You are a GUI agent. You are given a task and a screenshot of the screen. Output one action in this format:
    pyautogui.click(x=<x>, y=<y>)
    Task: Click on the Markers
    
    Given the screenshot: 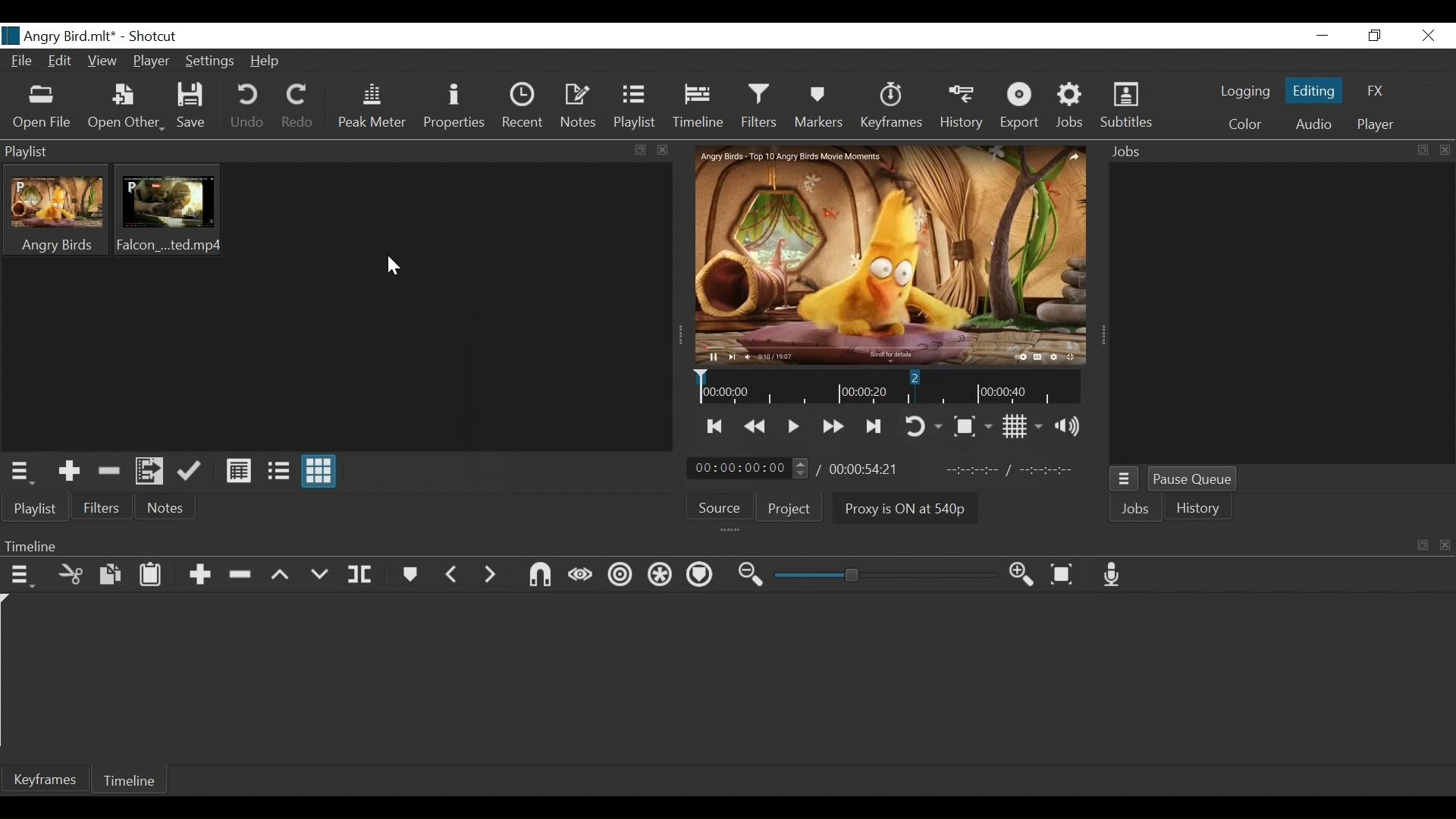 What is the action you would take?
    pyautogui.click(x=413, y=575)
    